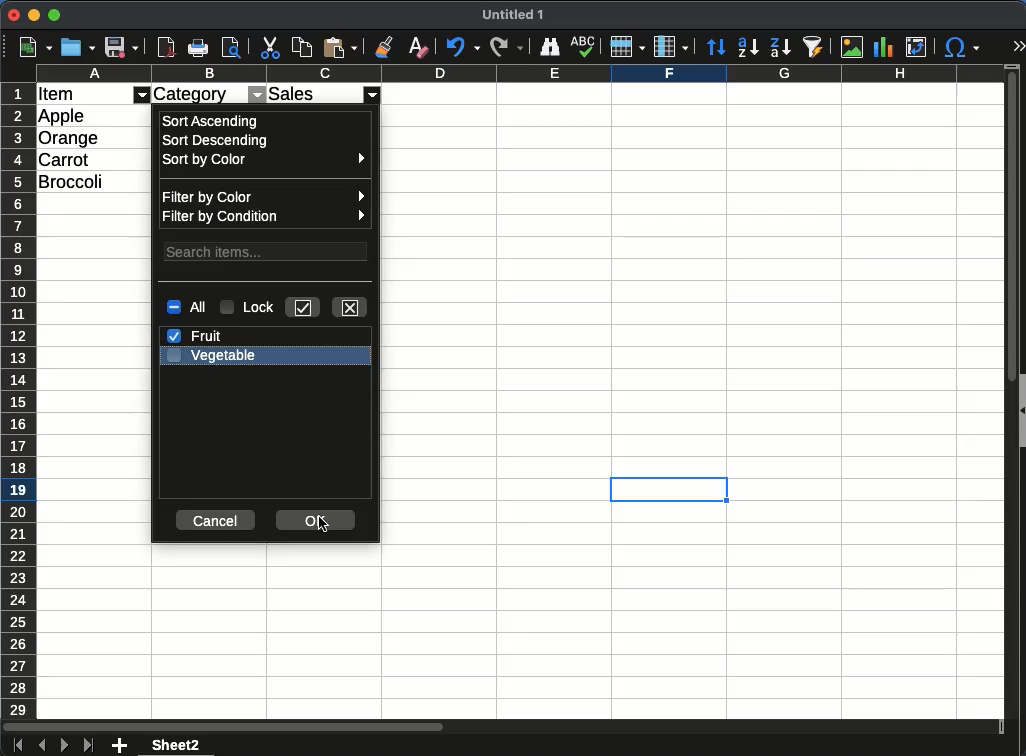  I want to click on sort descending, so click(219, 142).